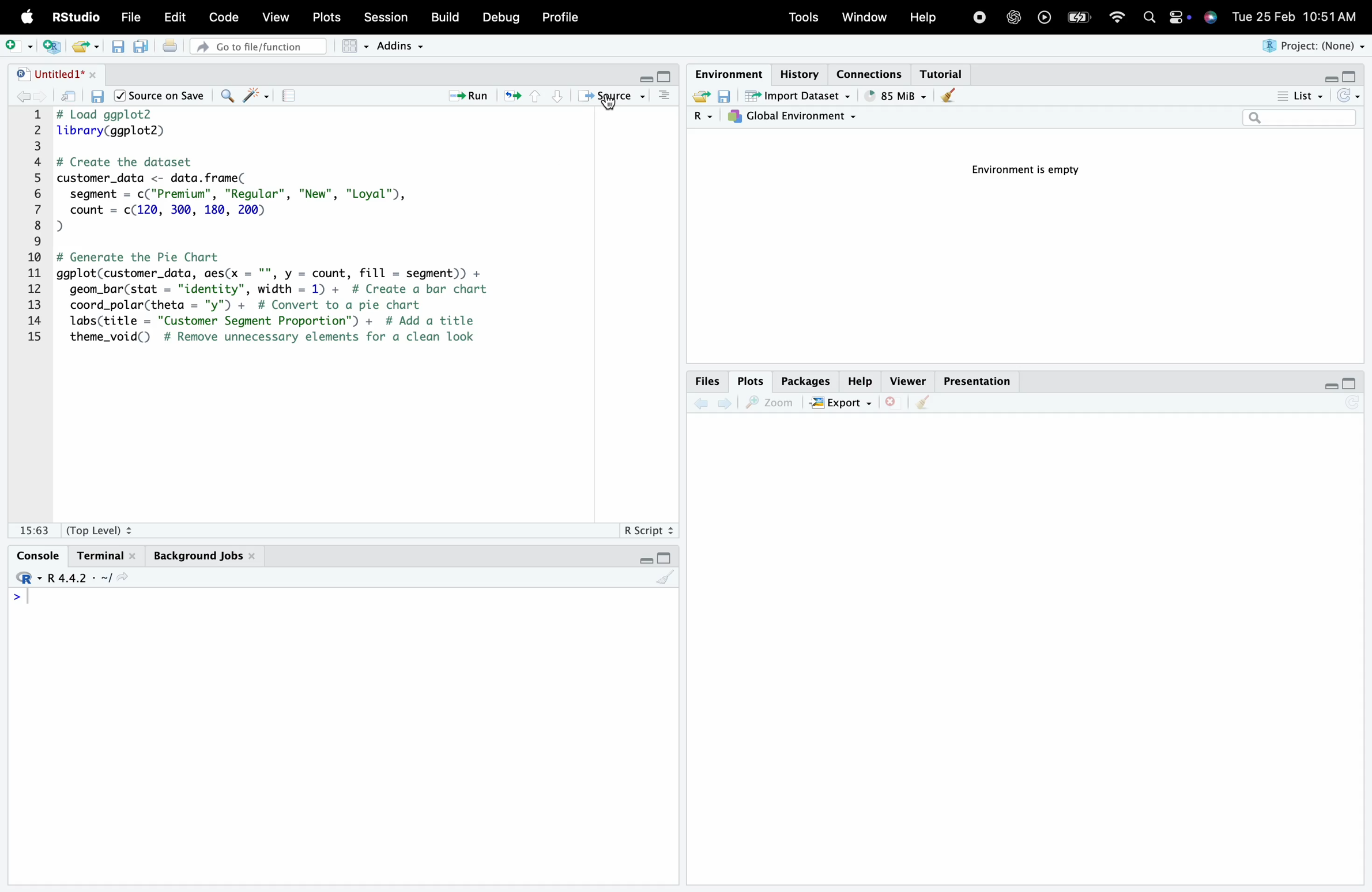 The width and height of the screenshot is (1372, 892). I want to click on bottom, so click(555, 96).